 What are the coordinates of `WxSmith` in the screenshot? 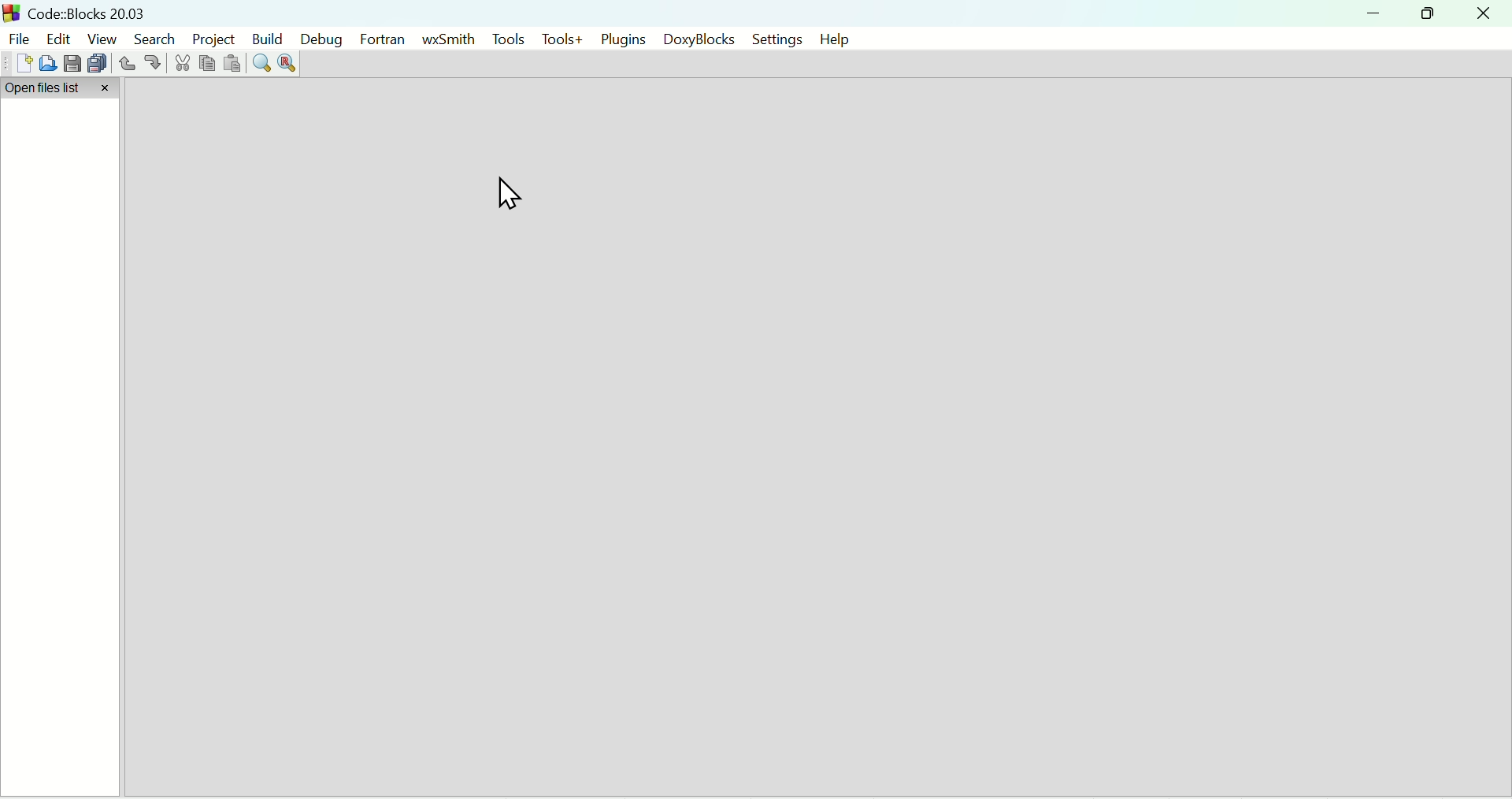 It's located at (447, 39).